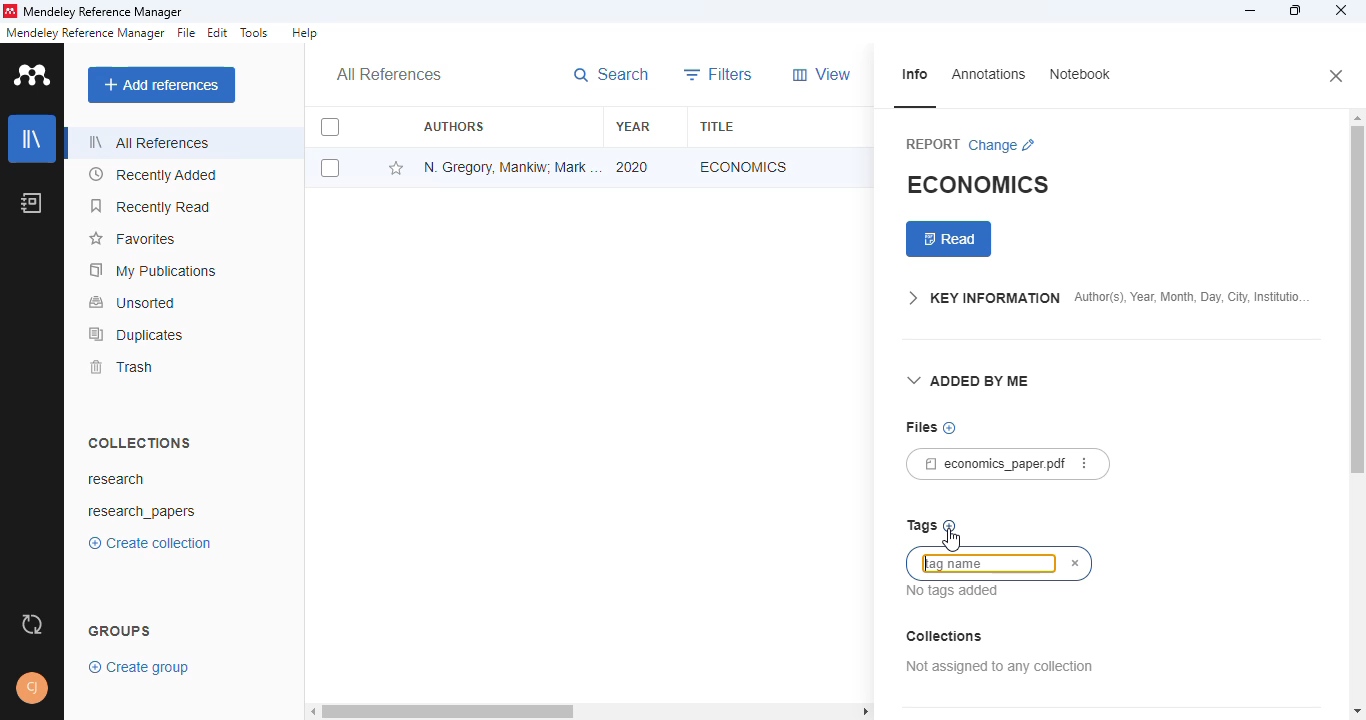 This screenshot has height=720, width=1366. What do you see at coordinates (593, 710) in the screenshot?
I see `horizontal scroll bar` at bounding box center [593, 710].